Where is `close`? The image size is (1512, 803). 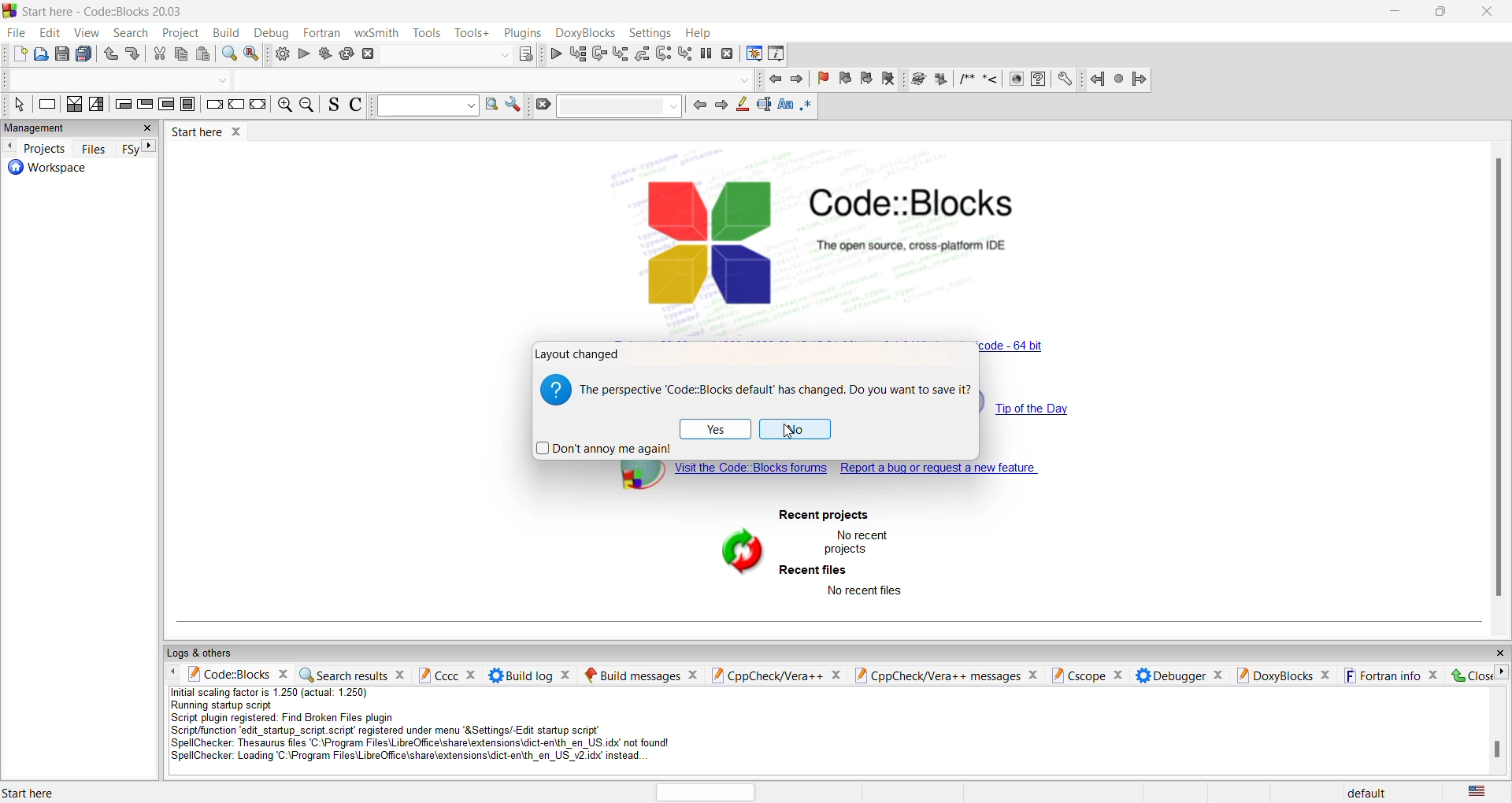 close is located at coordinates (472, 675).